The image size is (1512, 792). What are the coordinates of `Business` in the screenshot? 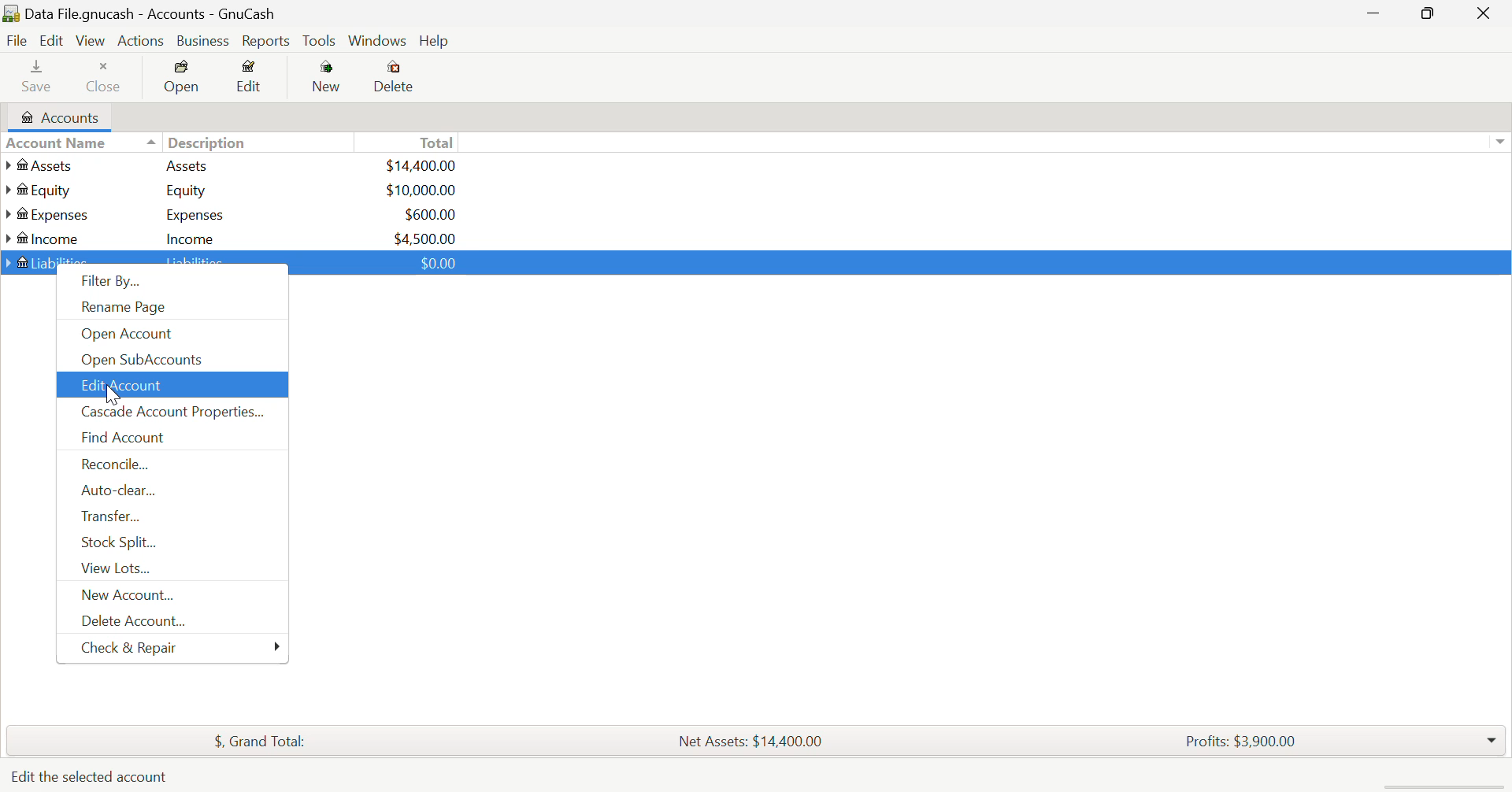 It's located at (203, 41).